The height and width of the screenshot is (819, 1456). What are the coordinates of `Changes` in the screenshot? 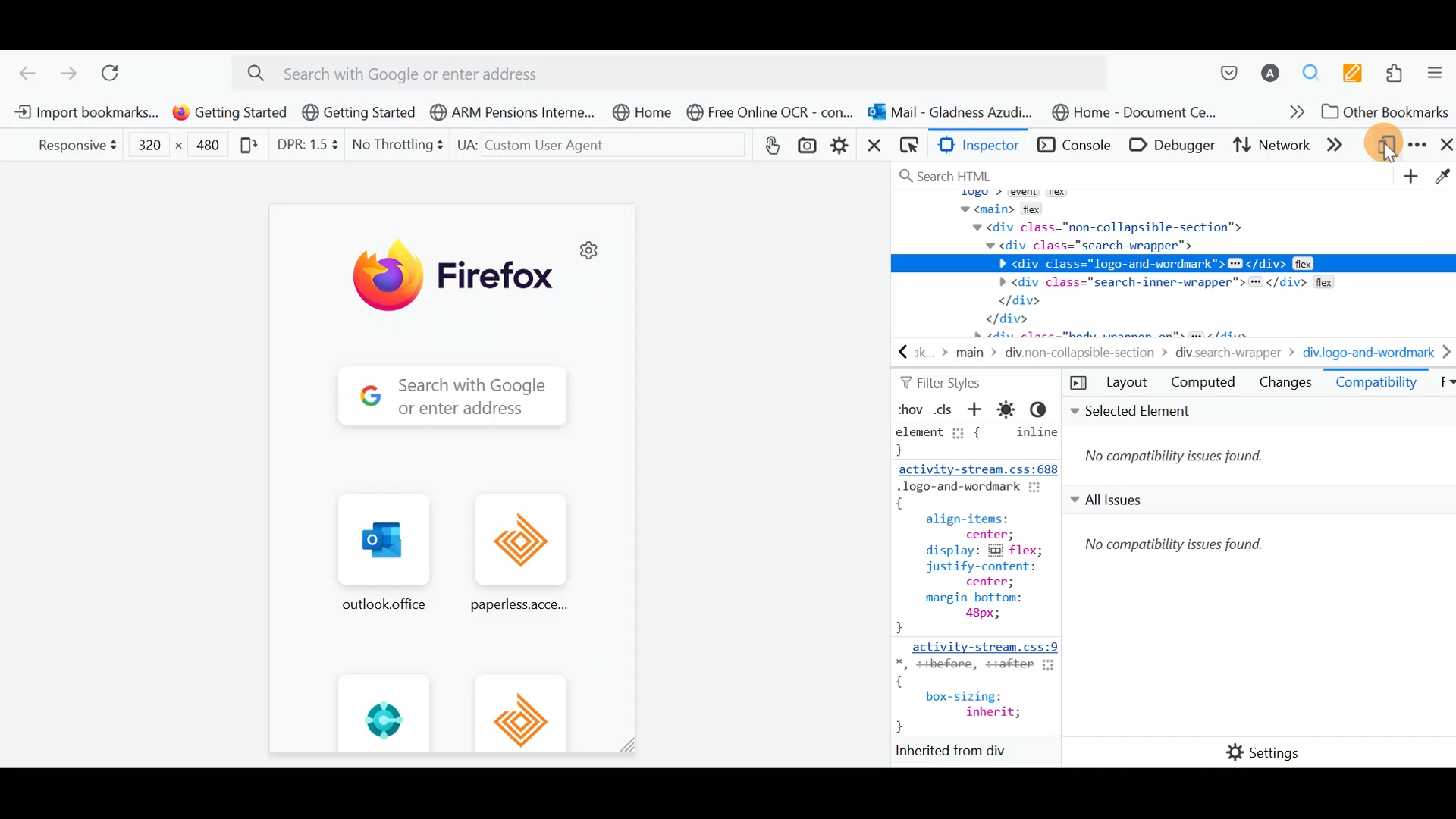 It's located at (1285, 385).